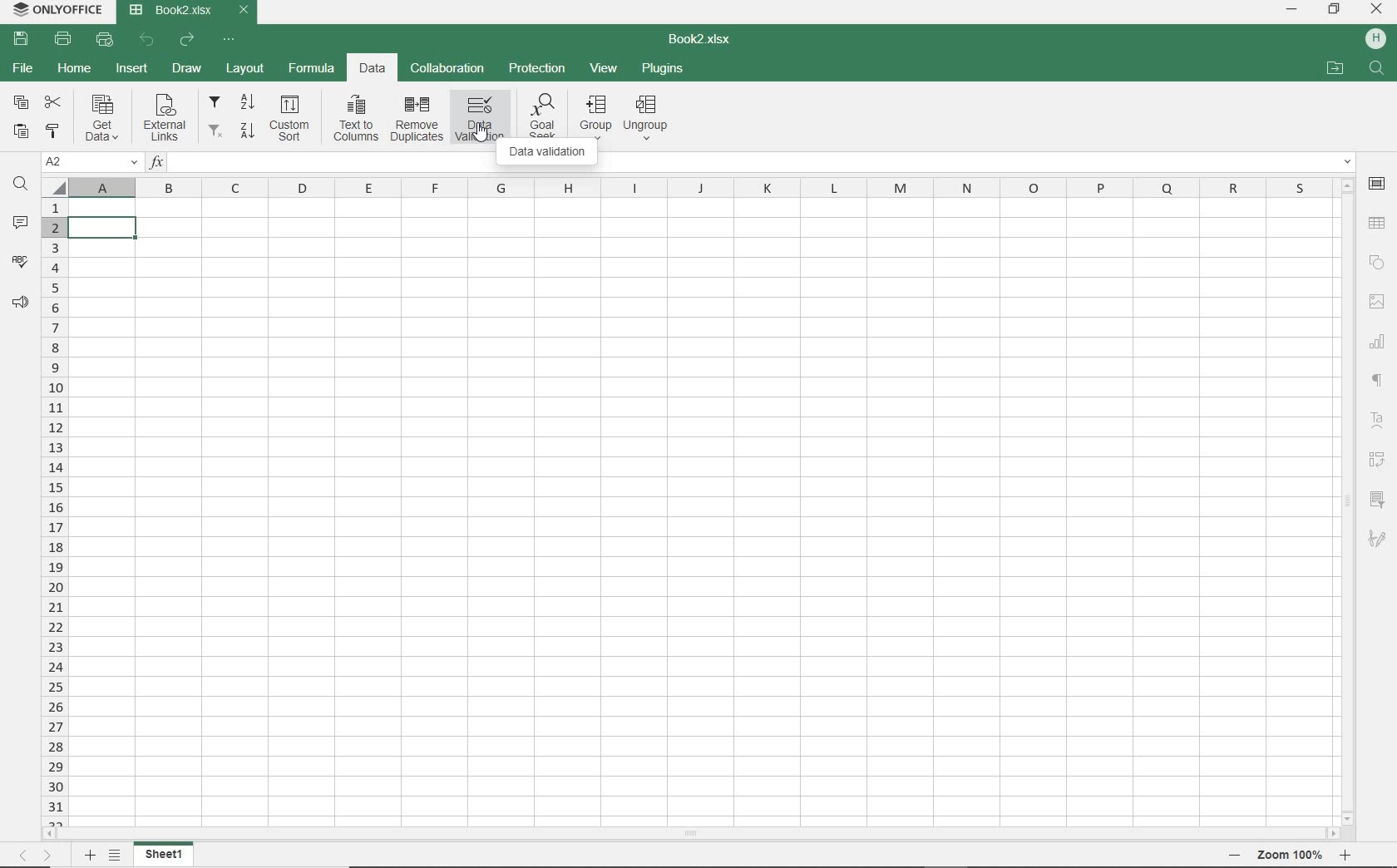  What do you see at coordinates (20, 104) in the screenshot?
I see `COPY` at bounding box center [20, 104].